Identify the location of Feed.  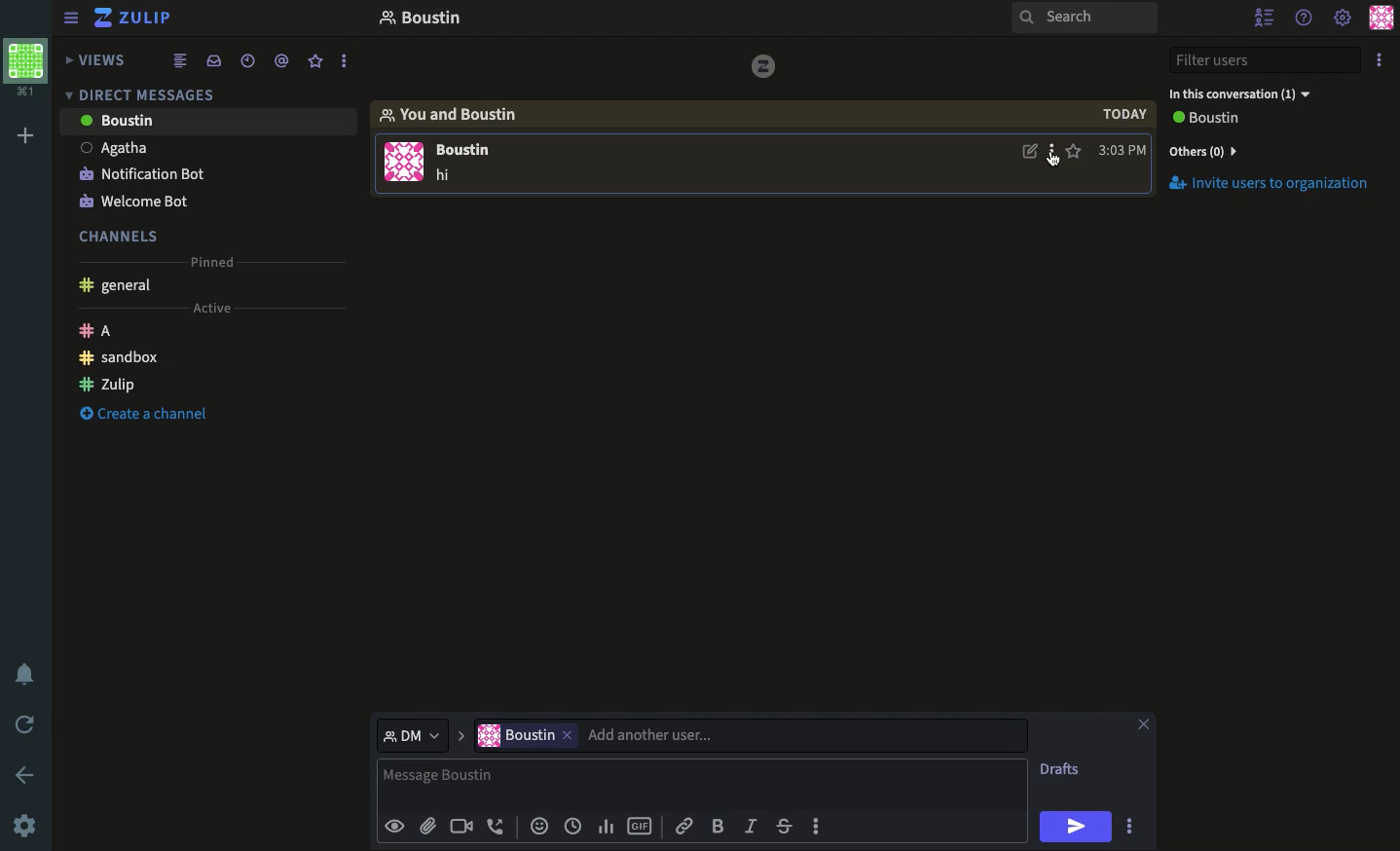
(183, 61).